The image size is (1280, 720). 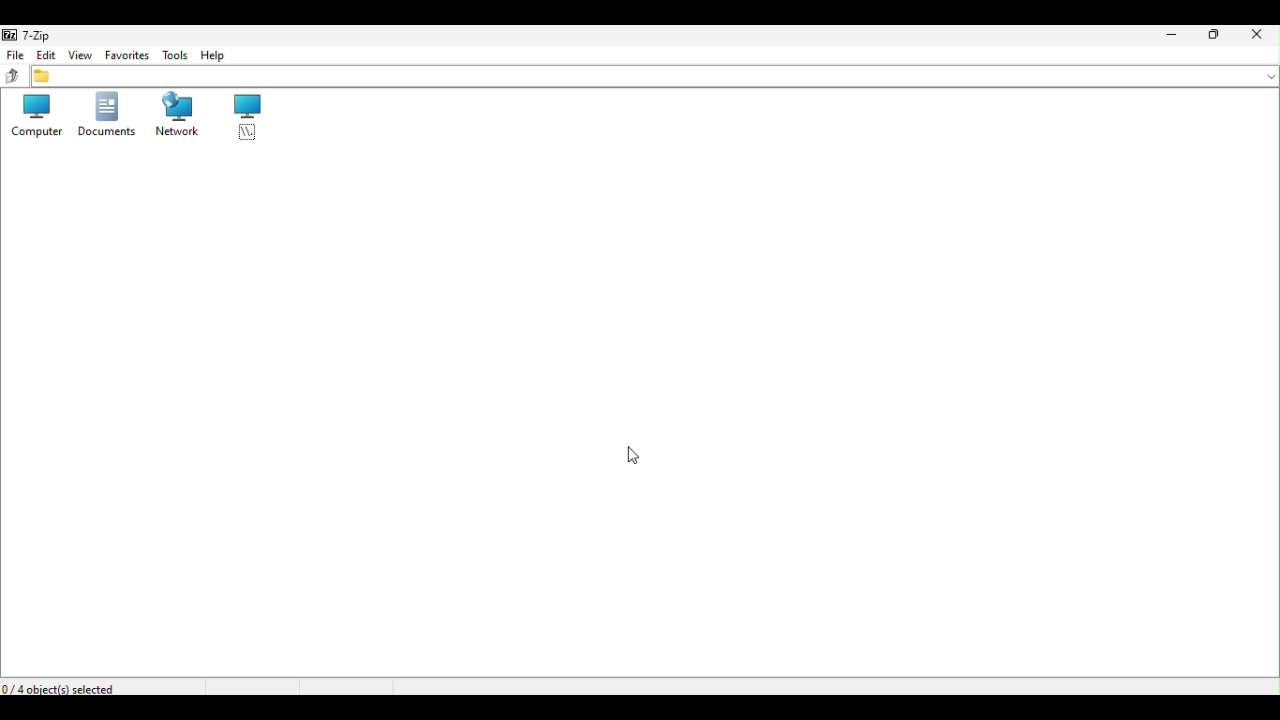 What do you see at coordinates (1259, 34) in the screenshot?
I see `Close ` at bounding box center [1259, 34].